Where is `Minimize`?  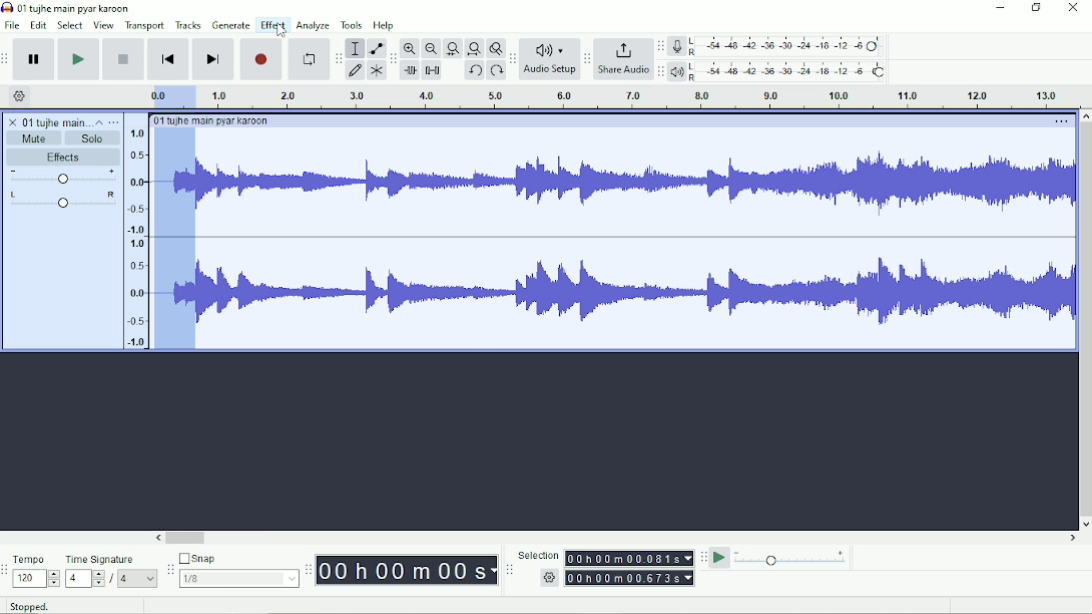
Minimize is located at coordinates (1001, 8).